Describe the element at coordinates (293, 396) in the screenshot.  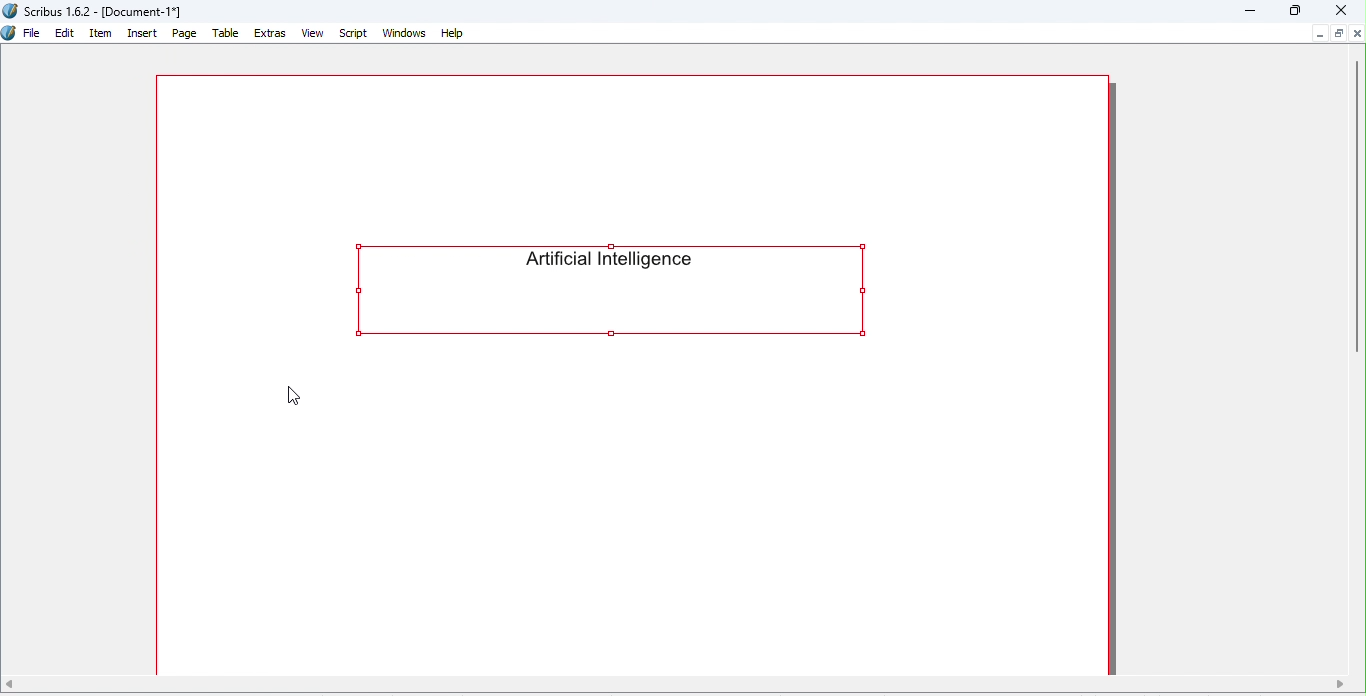
I see `Cursor` at that location.